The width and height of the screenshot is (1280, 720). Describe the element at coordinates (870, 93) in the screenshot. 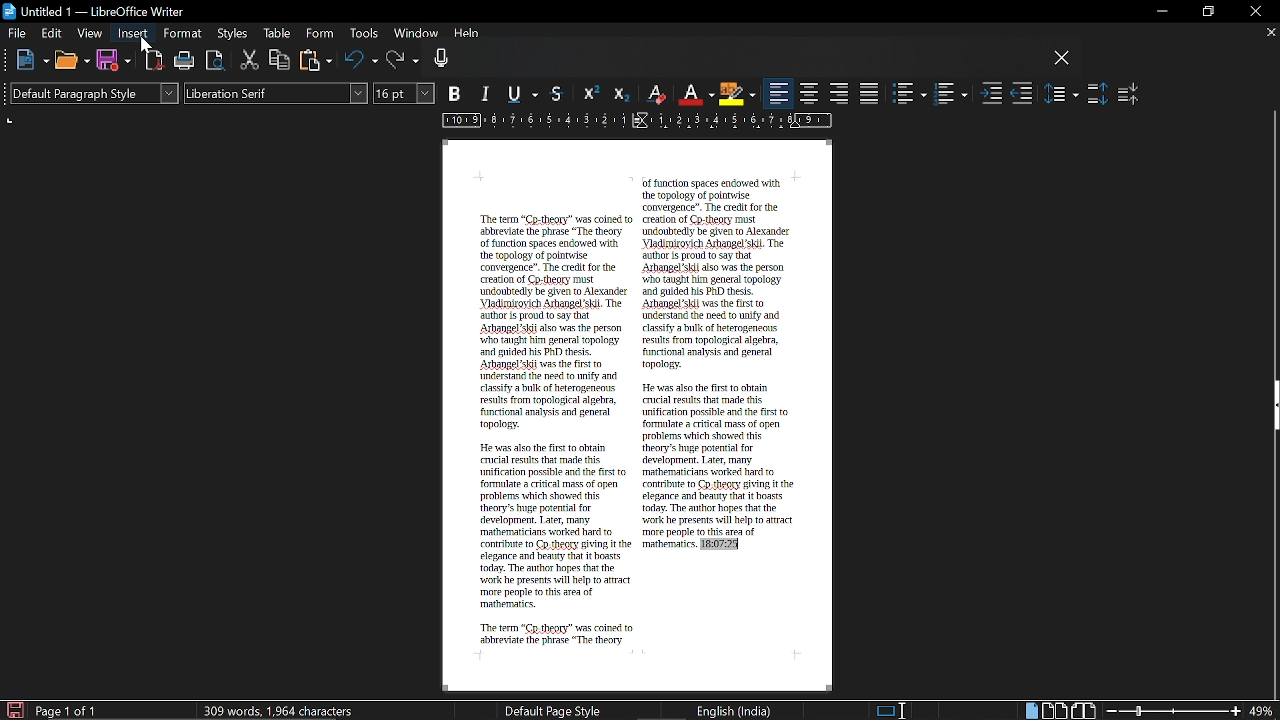

I see `Justified` at that location.